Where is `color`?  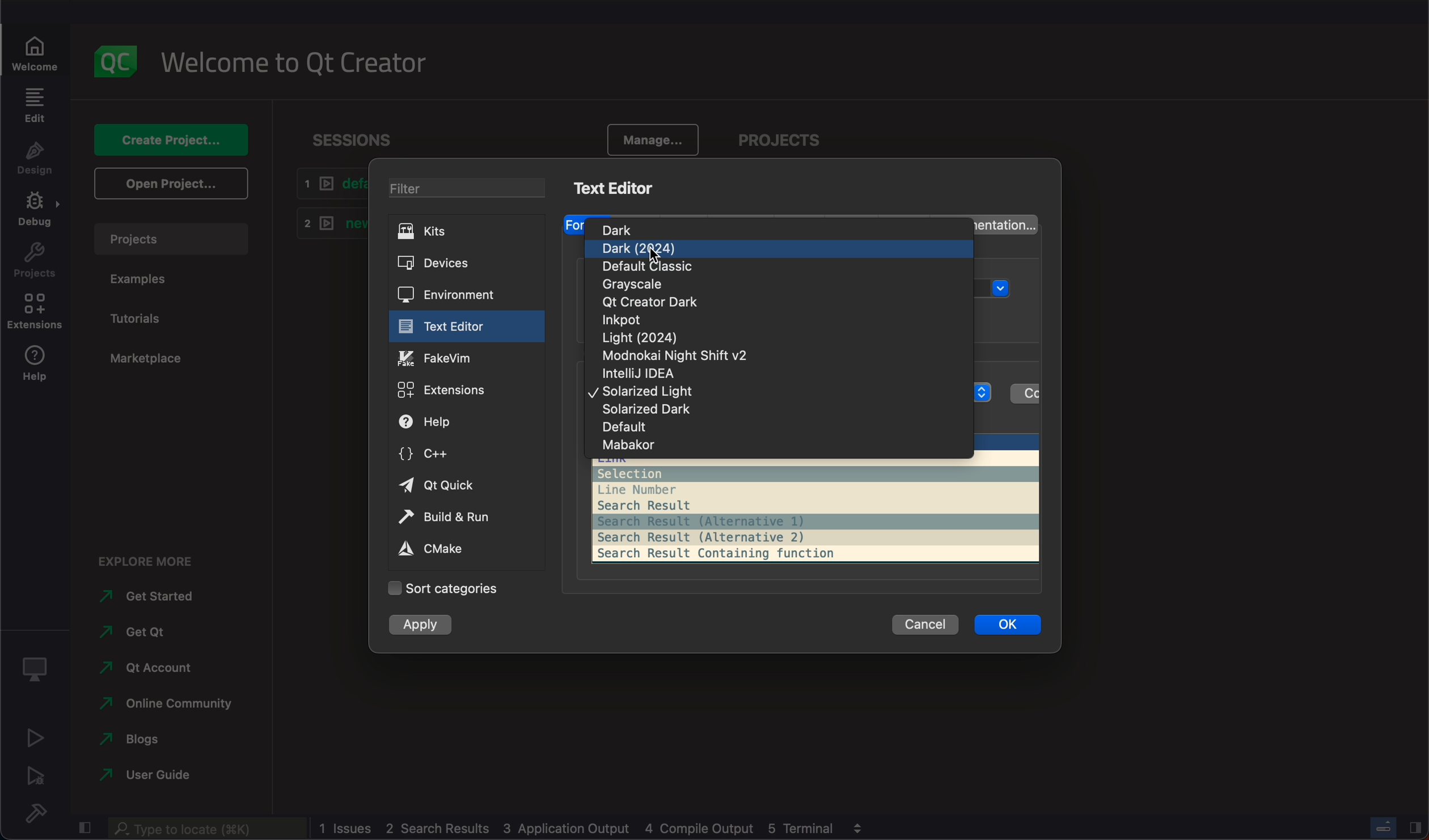
color is located at coordinates (1025, 394).